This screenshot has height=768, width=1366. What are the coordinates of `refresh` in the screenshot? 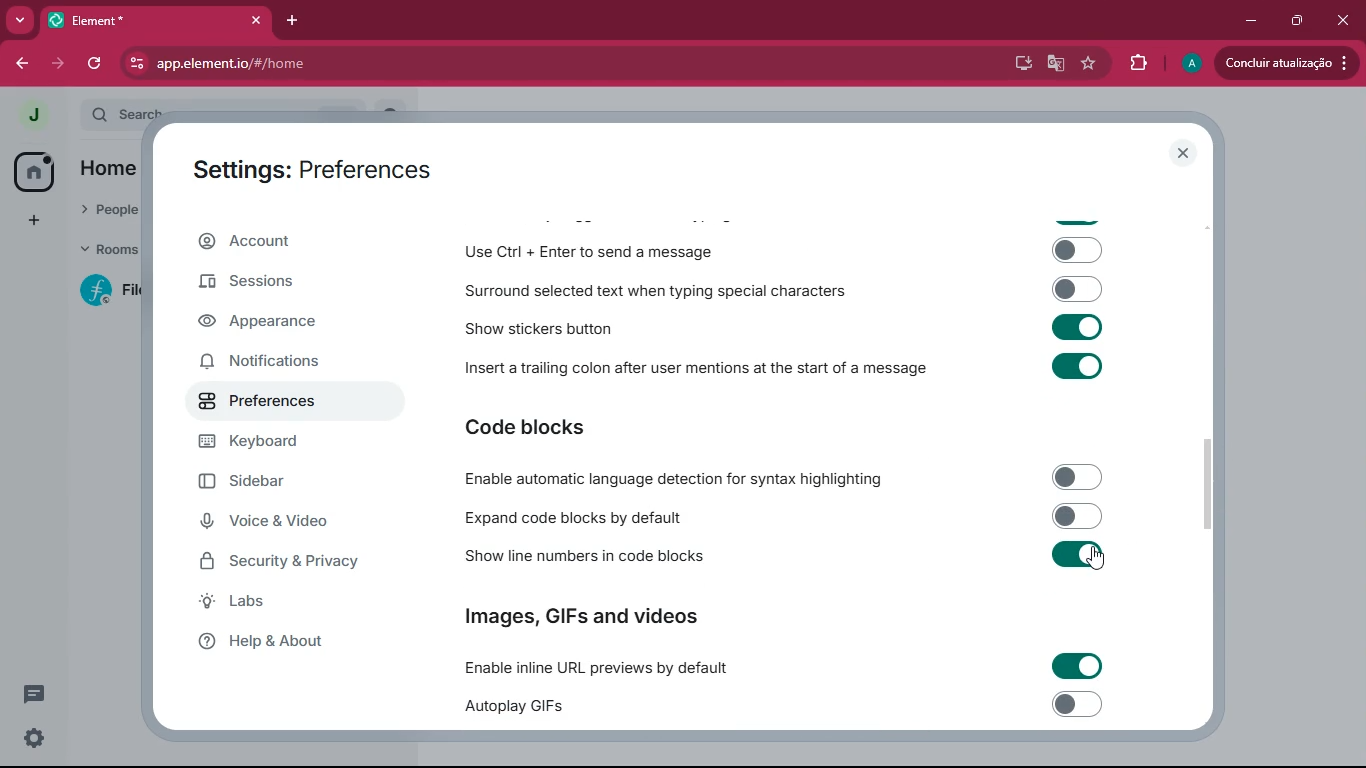 It's located at (98, 63).